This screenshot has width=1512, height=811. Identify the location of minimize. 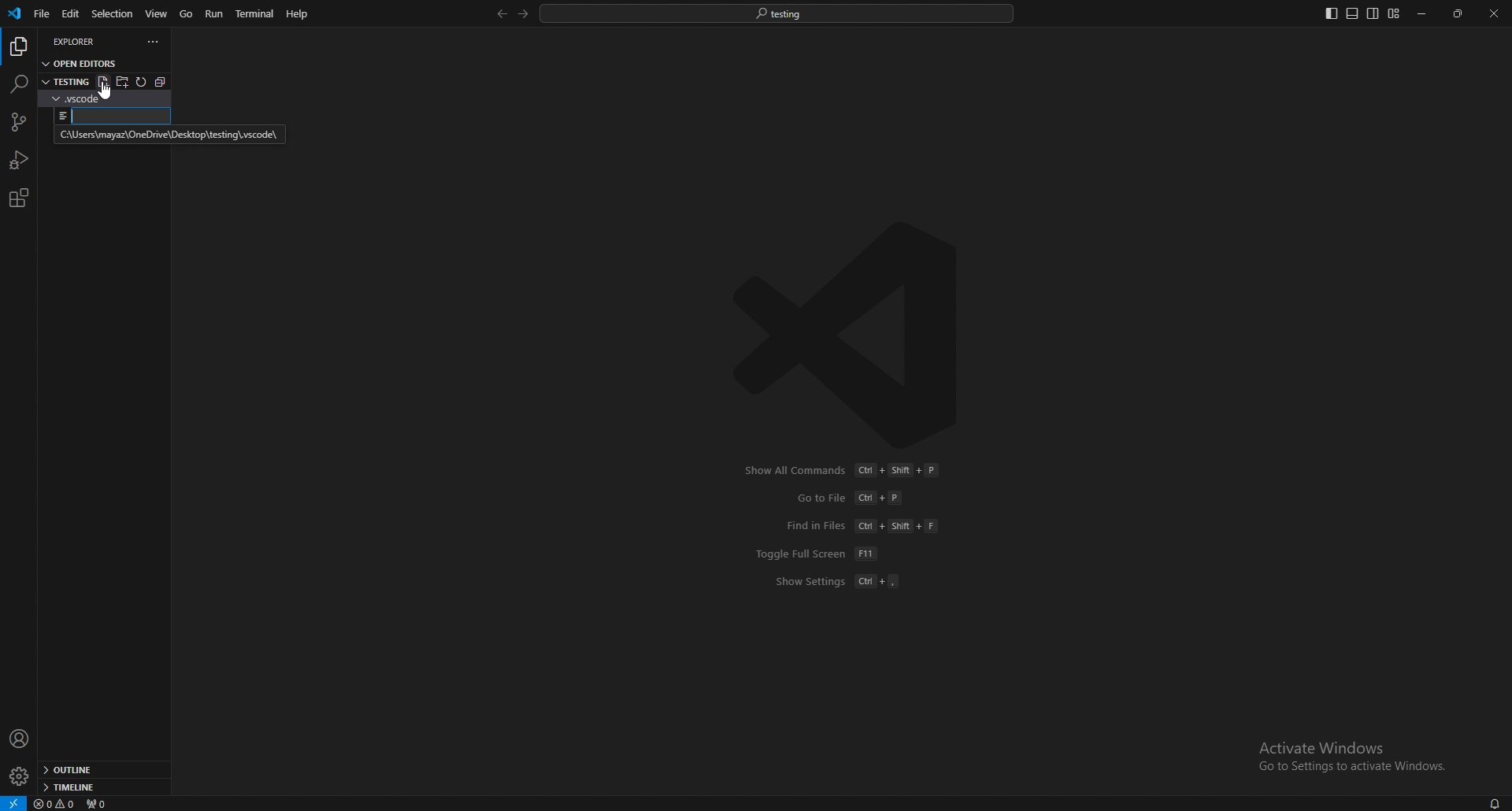
(1423, 14).